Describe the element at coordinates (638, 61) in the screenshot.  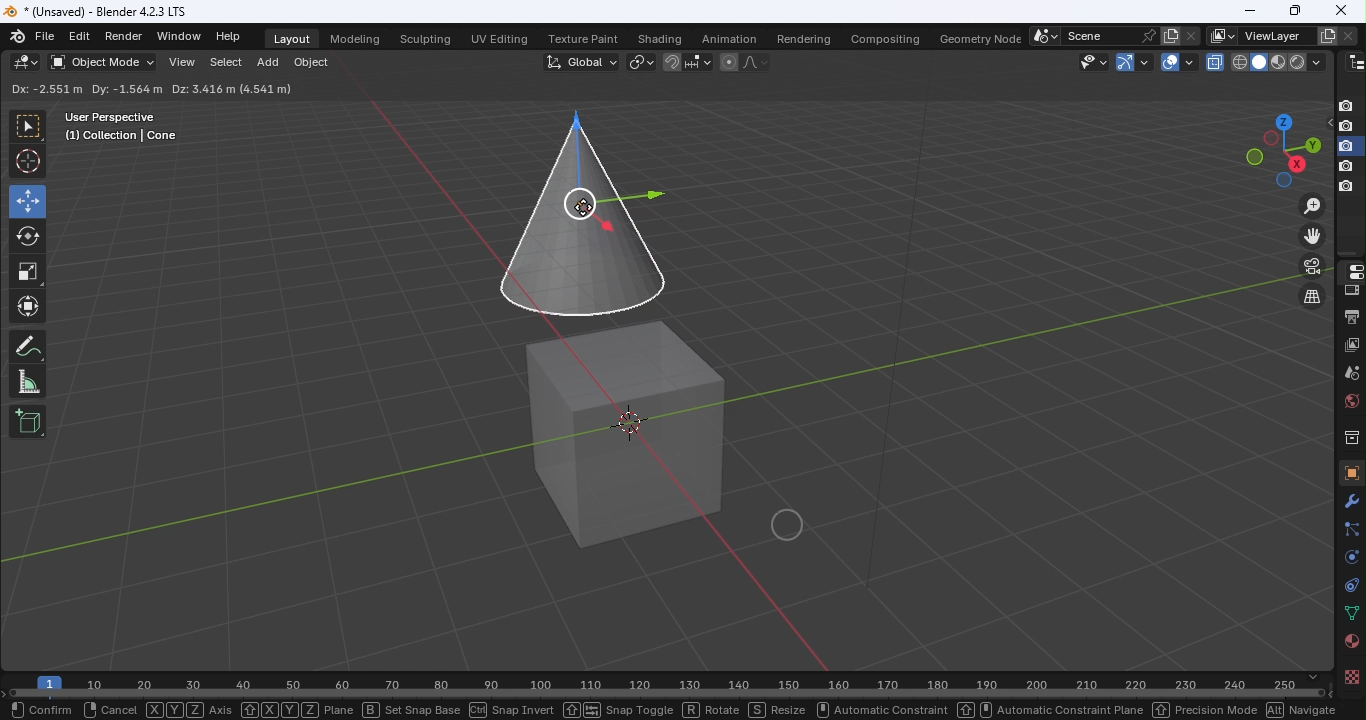
I see `Transform pivot point` at that location.